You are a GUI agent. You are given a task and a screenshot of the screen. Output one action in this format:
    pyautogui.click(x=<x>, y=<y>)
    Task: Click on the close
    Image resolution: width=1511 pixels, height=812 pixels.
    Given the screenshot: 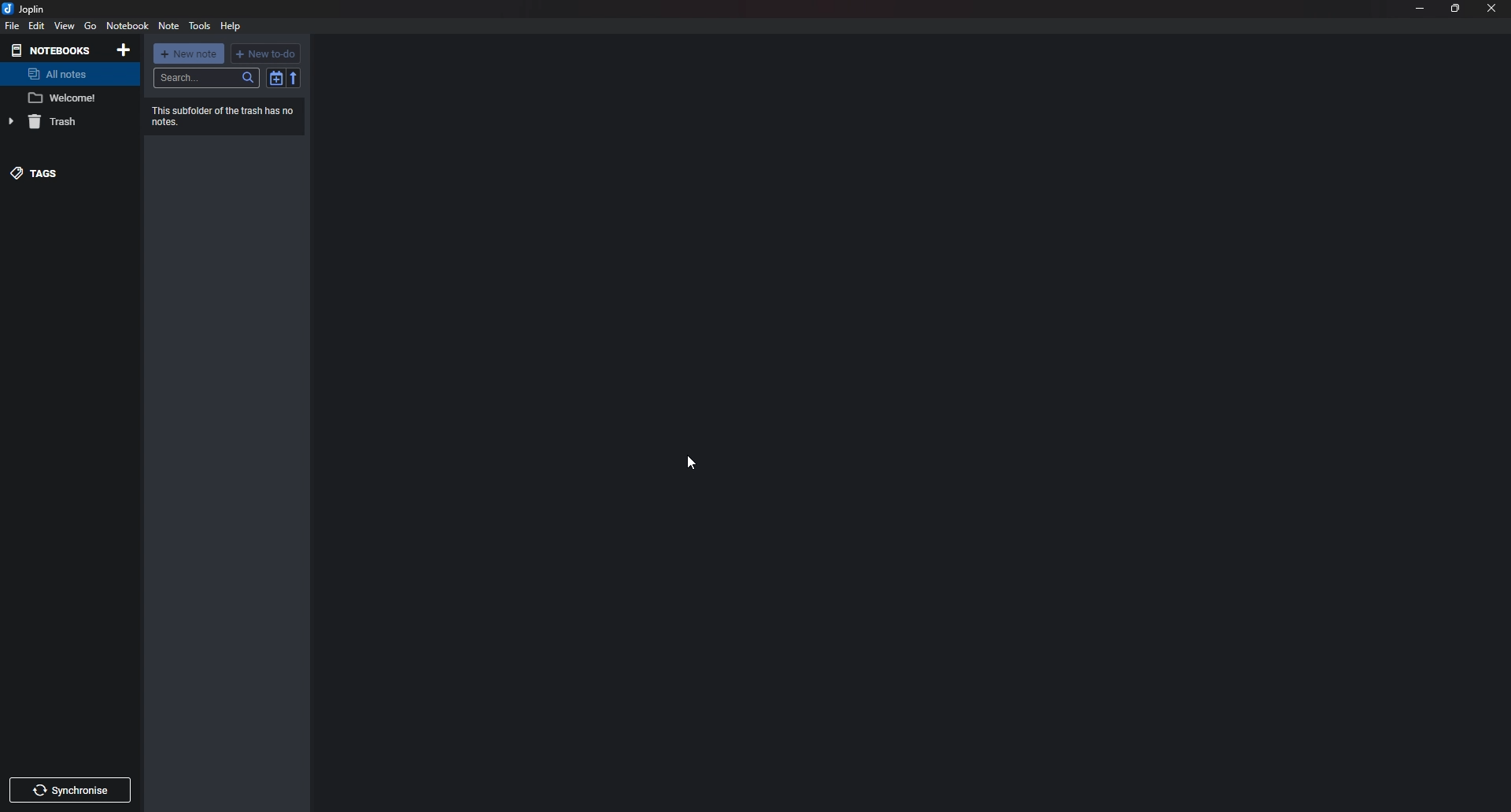 What is the action you would take?
    pyautogui.click(x=1489, y=8)
    